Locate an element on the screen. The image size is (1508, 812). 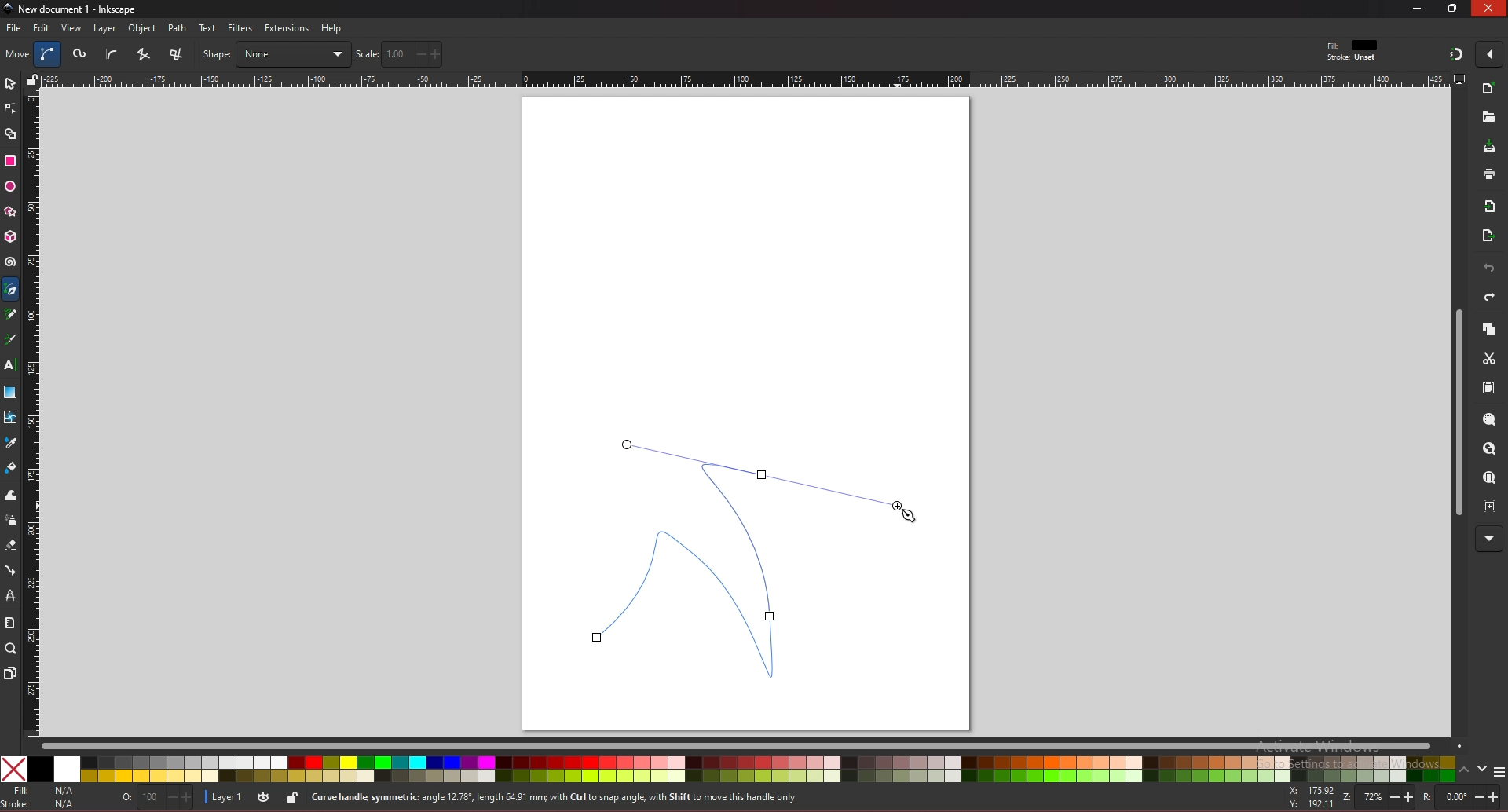
scale is located at coordinates (399, 53).